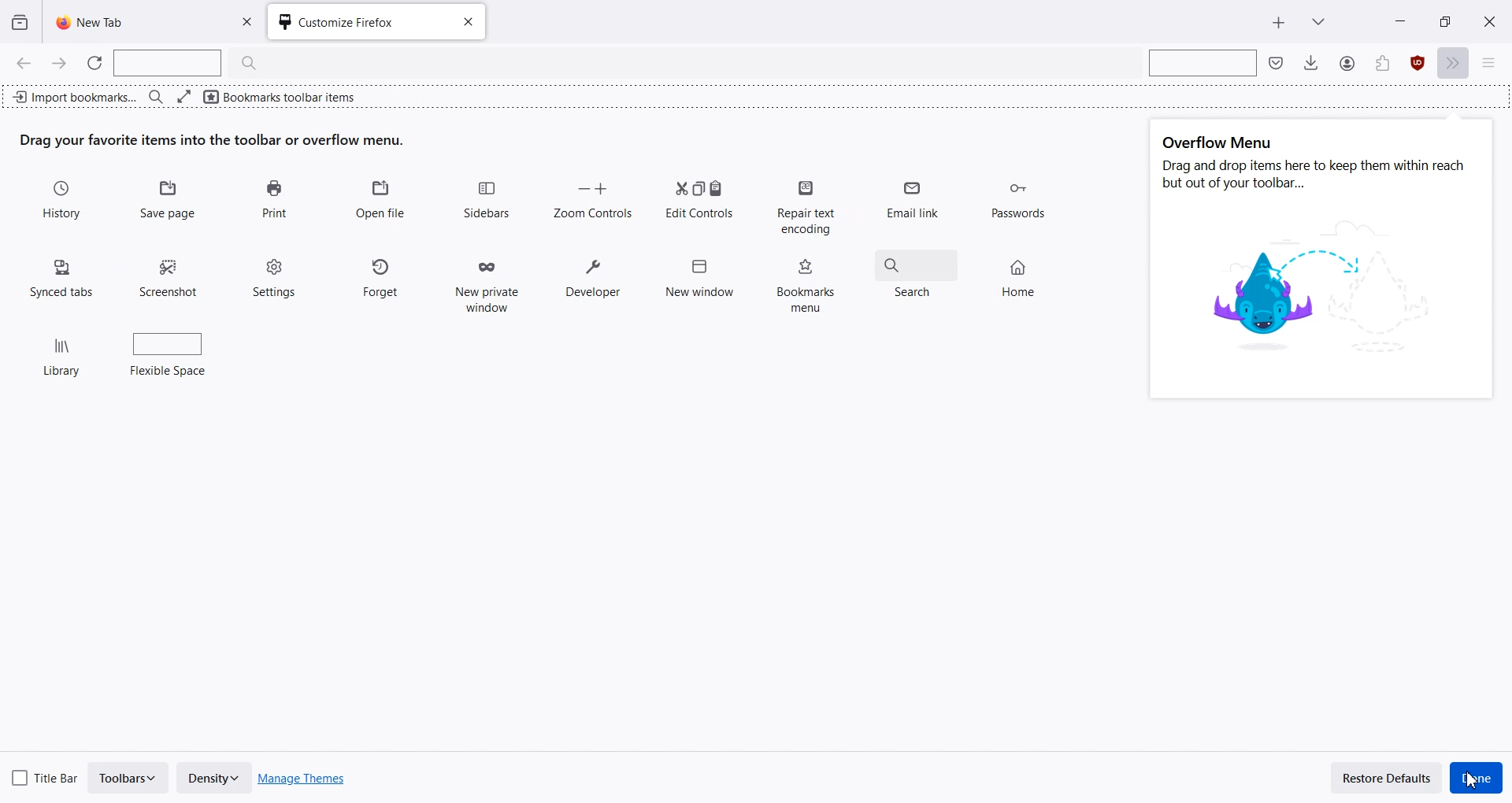 The width and height of the screenshot is (1512, 803). I want to click on Open file, so click(380, 200).